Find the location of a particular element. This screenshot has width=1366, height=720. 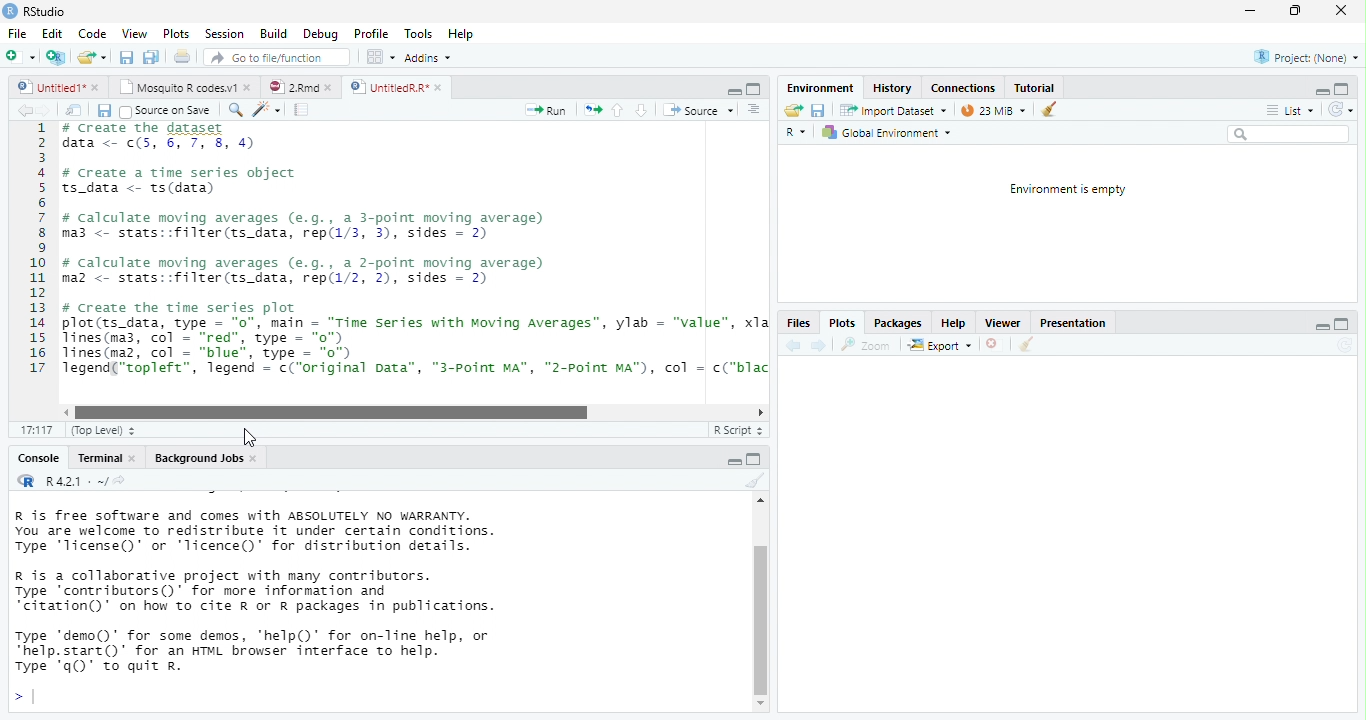

2Rmd is located at coordinates (291, 87).